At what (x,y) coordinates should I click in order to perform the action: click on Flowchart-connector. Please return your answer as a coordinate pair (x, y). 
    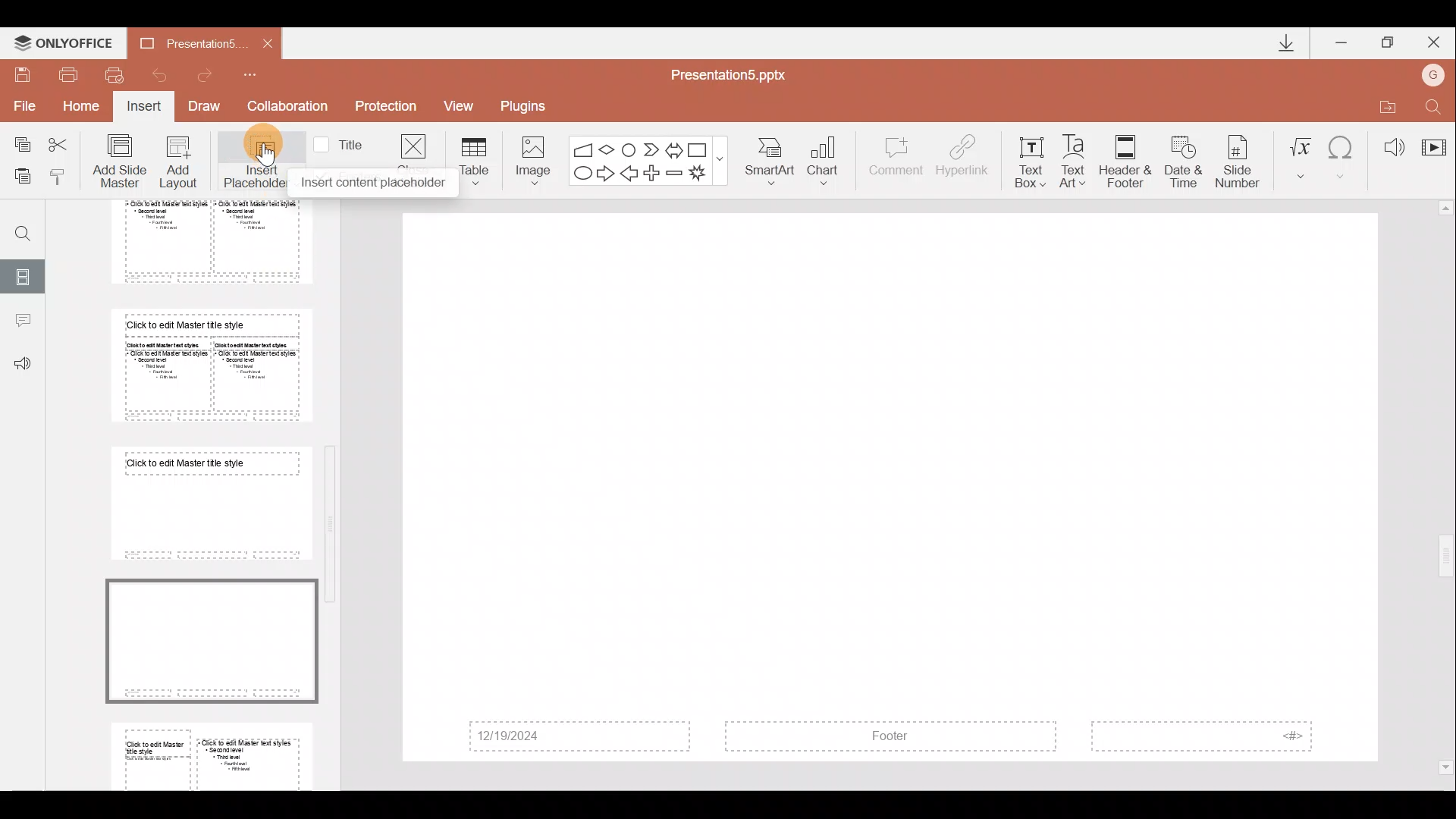
    Looking at the image, I should click on (629, 146).